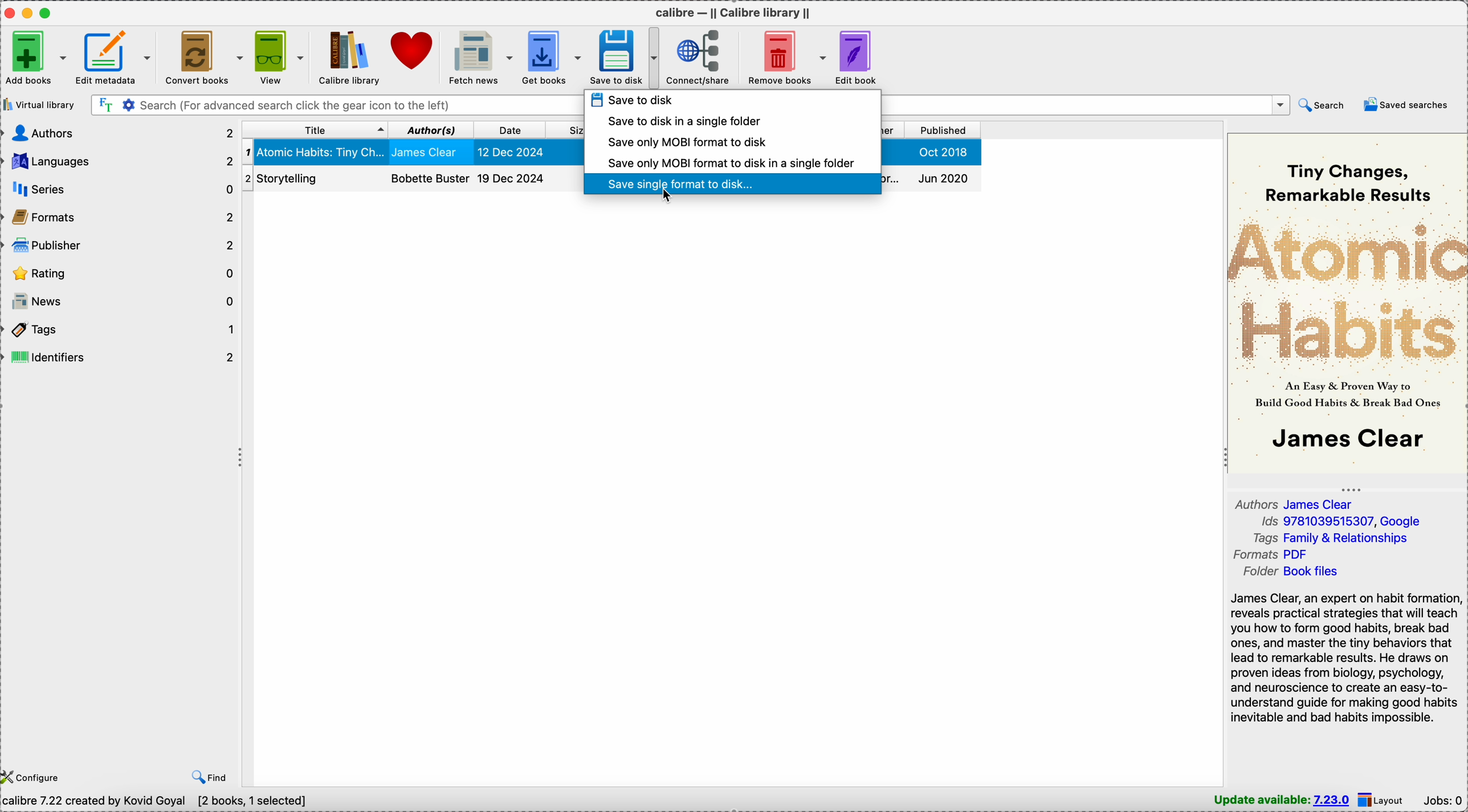  Describe the element at coordinates (1346, 659) in the screenshot. I see `James Clear, an expert on habit formation reveals practical strategies that will teach you how to form good habits, break bad ones, and master the tiny behaviors that lead to remarkable results. He draws on proven ideas from biology, psychology, and neuroscience to create an easy-to-understand guide...` at that location.